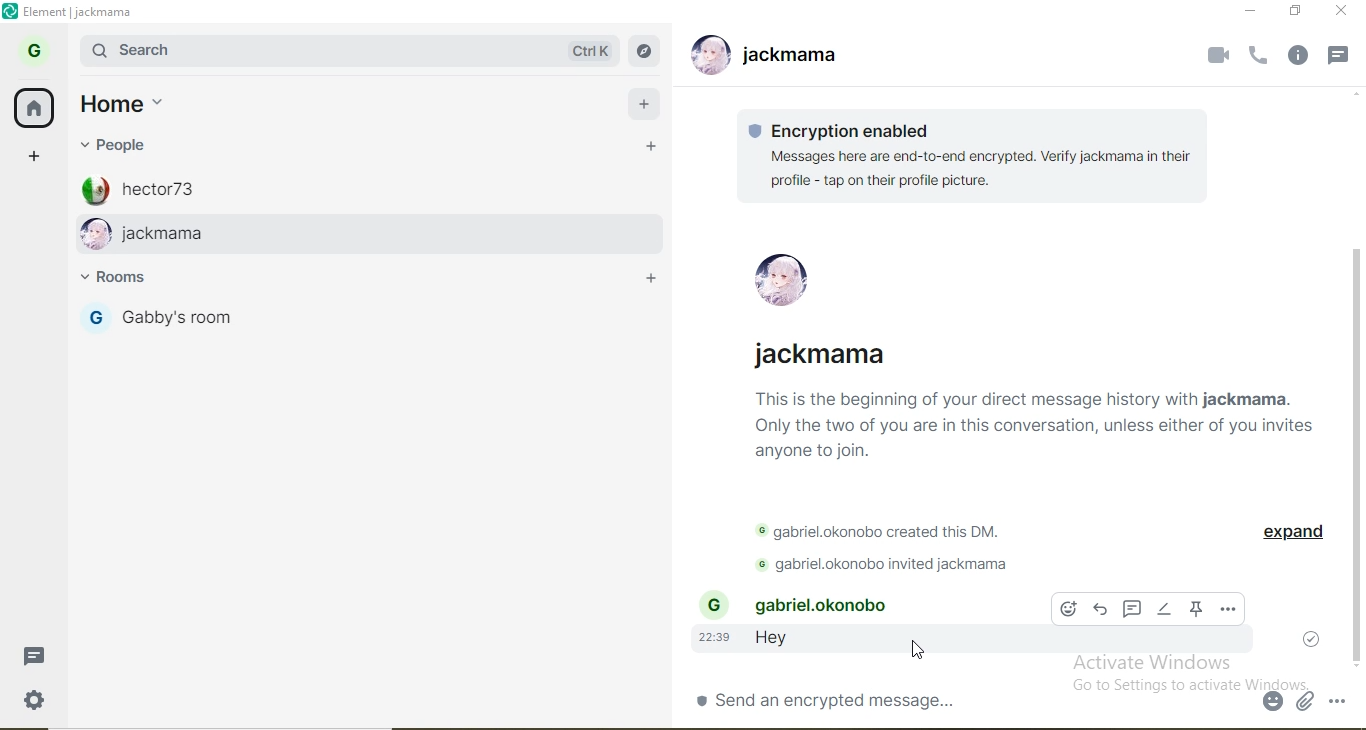 The image size is (1366, 730). I want to click on forward, so click(1101, 610).